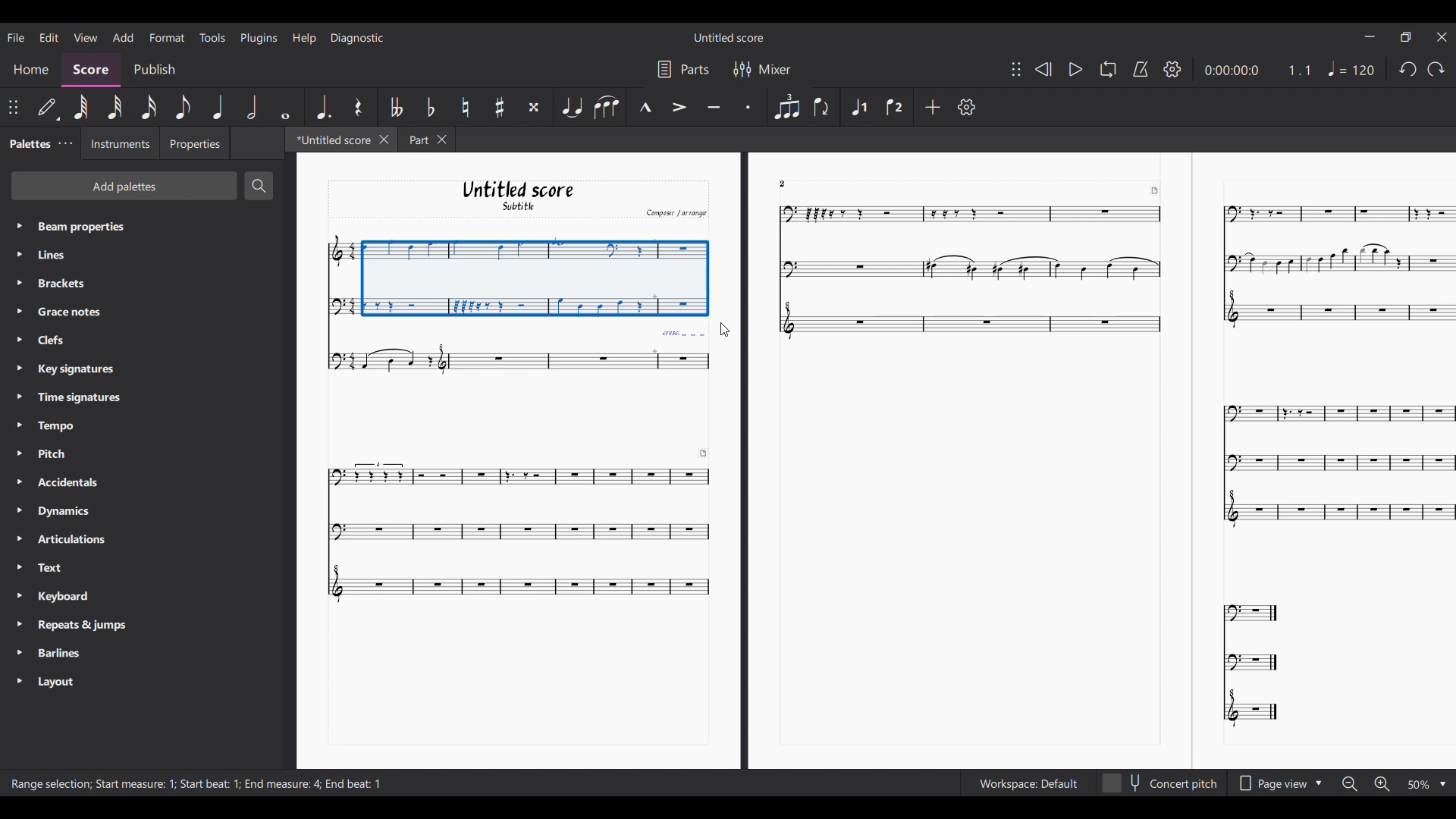  What do you see at coordinates (465, 107) in the screenshot?
I see `Toggle natural` at bounding box center [465, 107].